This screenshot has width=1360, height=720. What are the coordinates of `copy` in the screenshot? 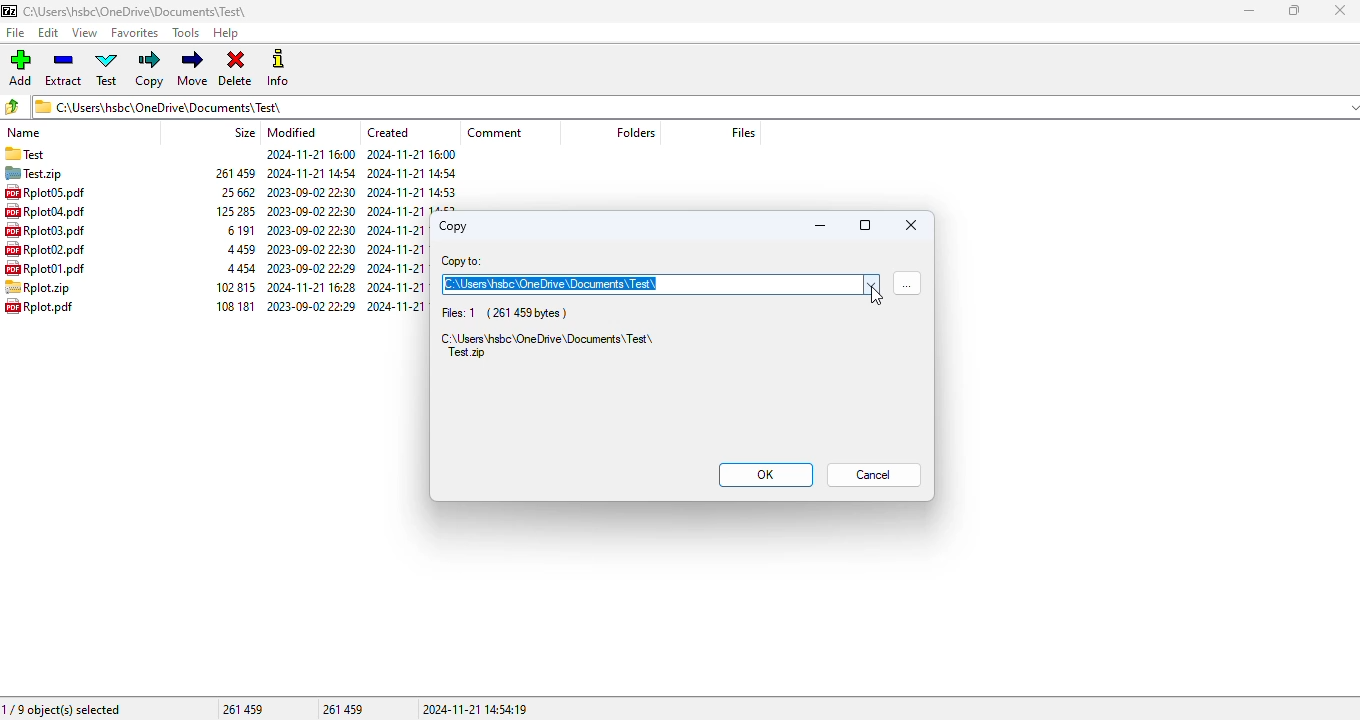 It's located at (151, 70).